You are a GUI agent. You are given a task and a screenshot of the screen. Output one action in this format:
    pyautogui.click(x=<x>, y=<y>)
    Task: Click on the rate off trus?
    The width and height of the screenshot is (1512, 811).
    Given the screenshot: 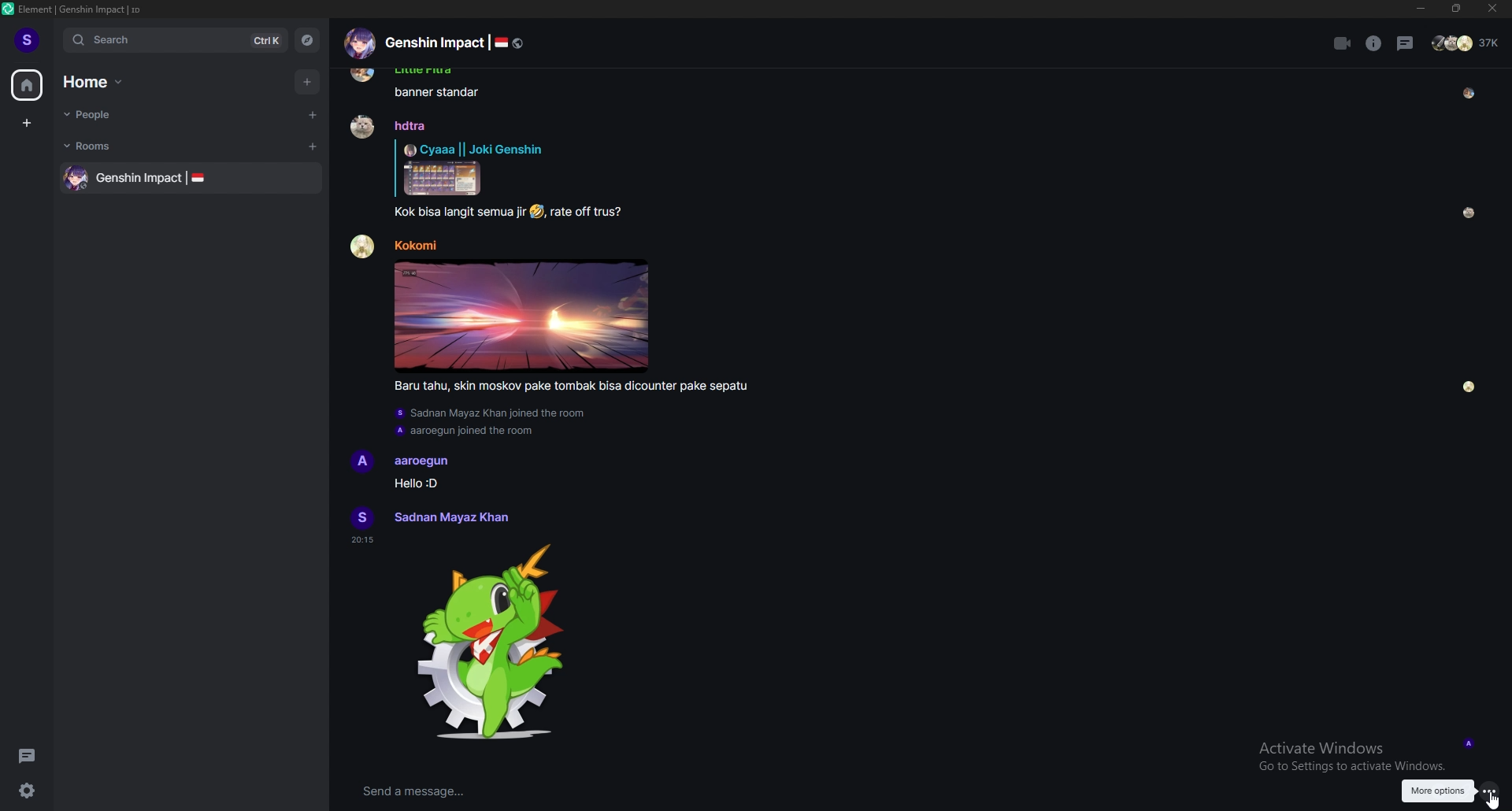 What is the action you would take?
    pyautogui.click(x=587, y=213)
    